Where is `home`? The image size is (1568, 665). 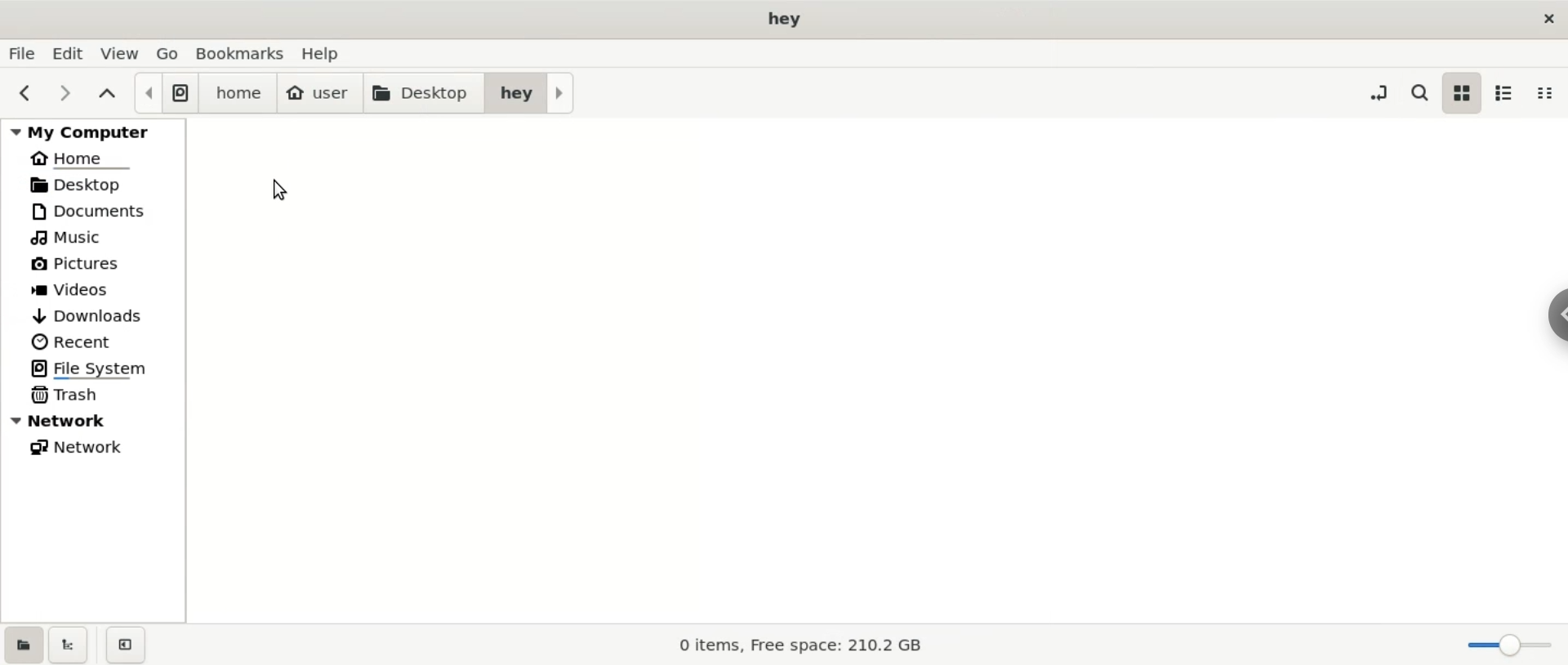
home is located at coordinates (238, 94).